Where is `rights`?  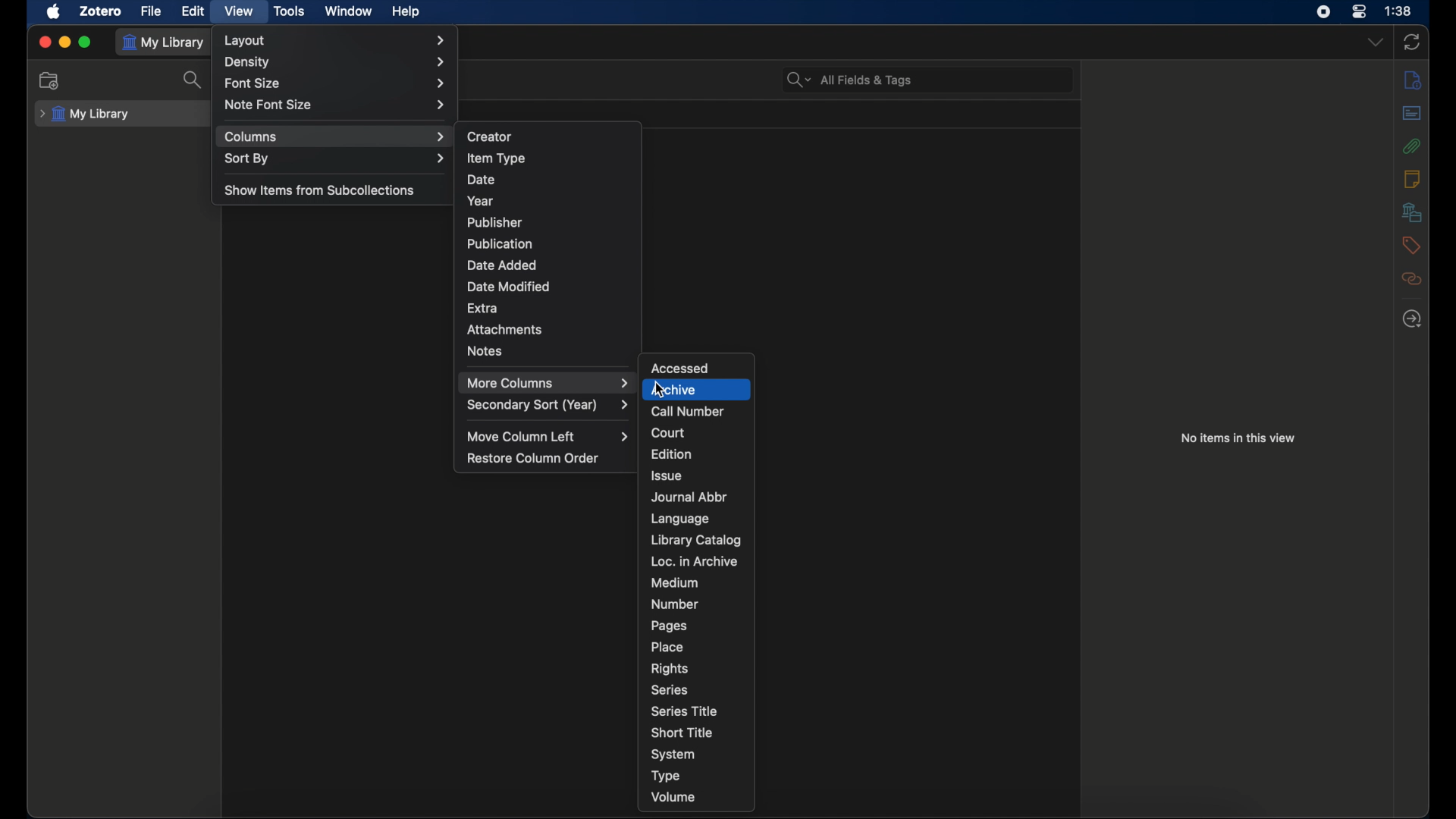 rights is located at coordinates (670, 668).